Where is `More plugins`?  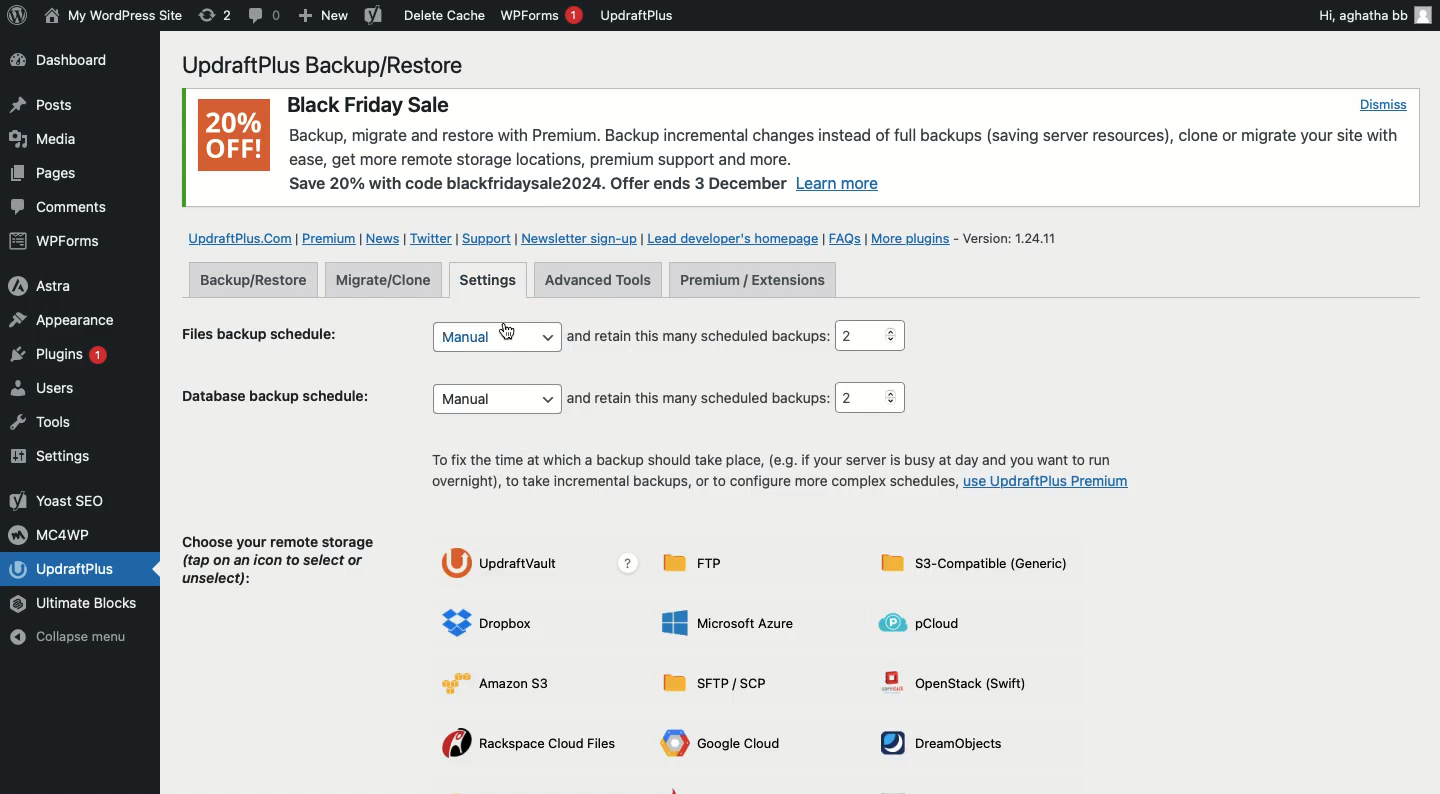
More plugins is located at coordinates (915, 239).